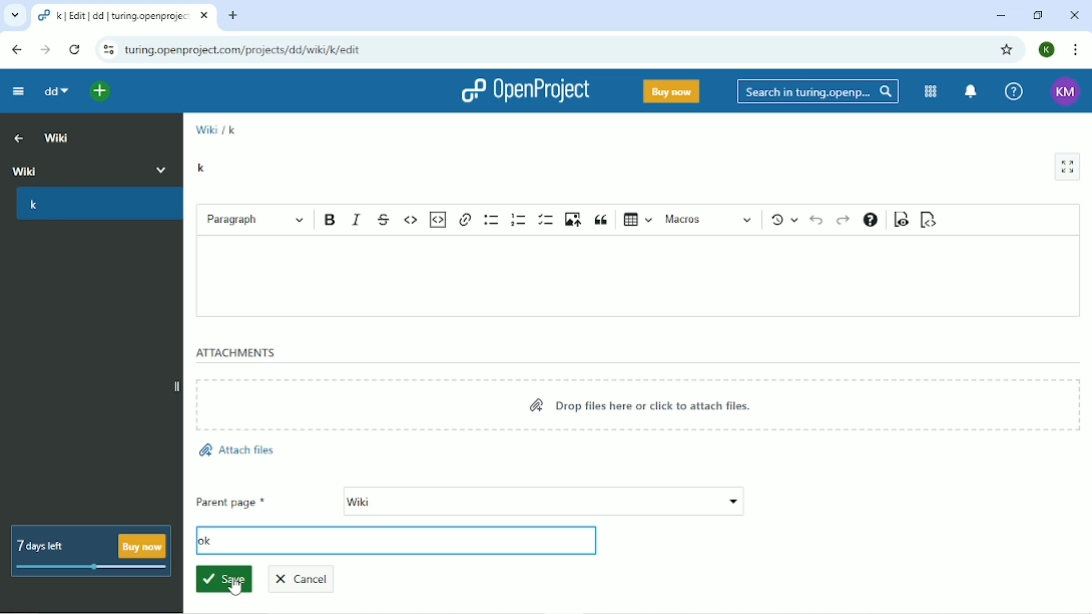  I want to click on Search in turing.openp, so click(816, 92).